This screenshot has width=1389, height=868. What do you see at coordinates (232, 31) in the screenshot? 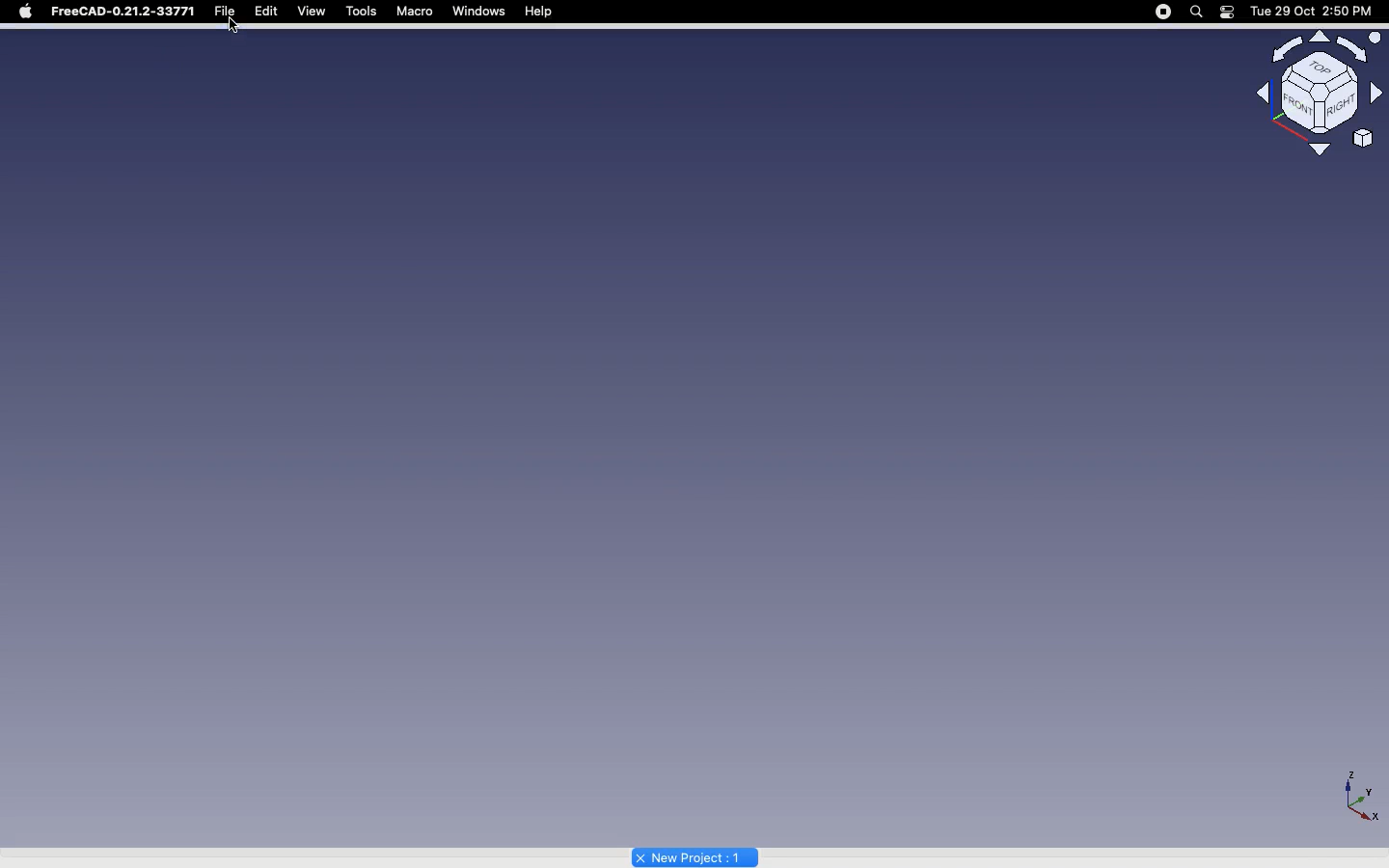
I see `cursor` at bounding box center [232, 31].